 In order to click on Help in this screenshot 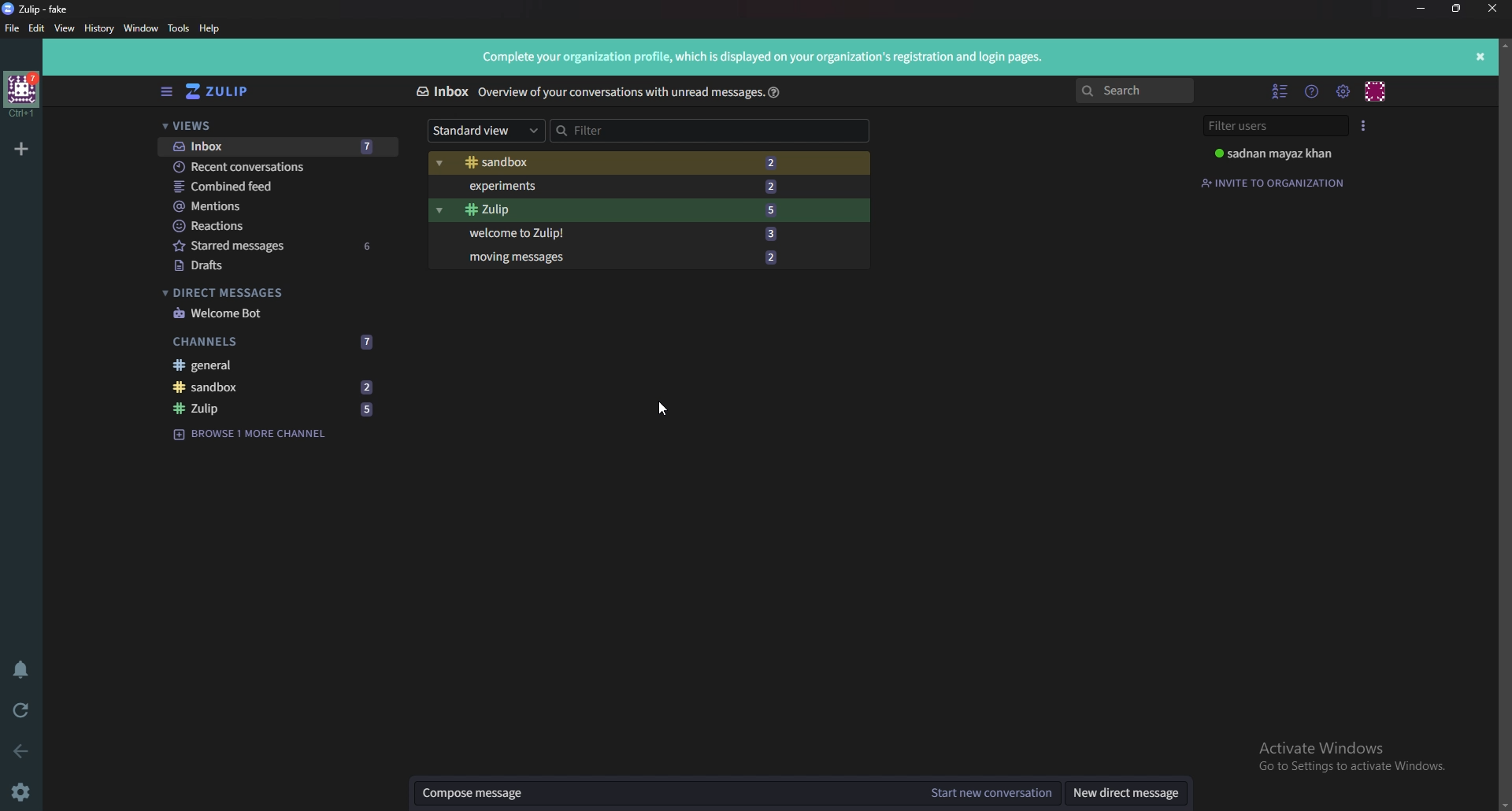, I will do `click(211, 28)`.